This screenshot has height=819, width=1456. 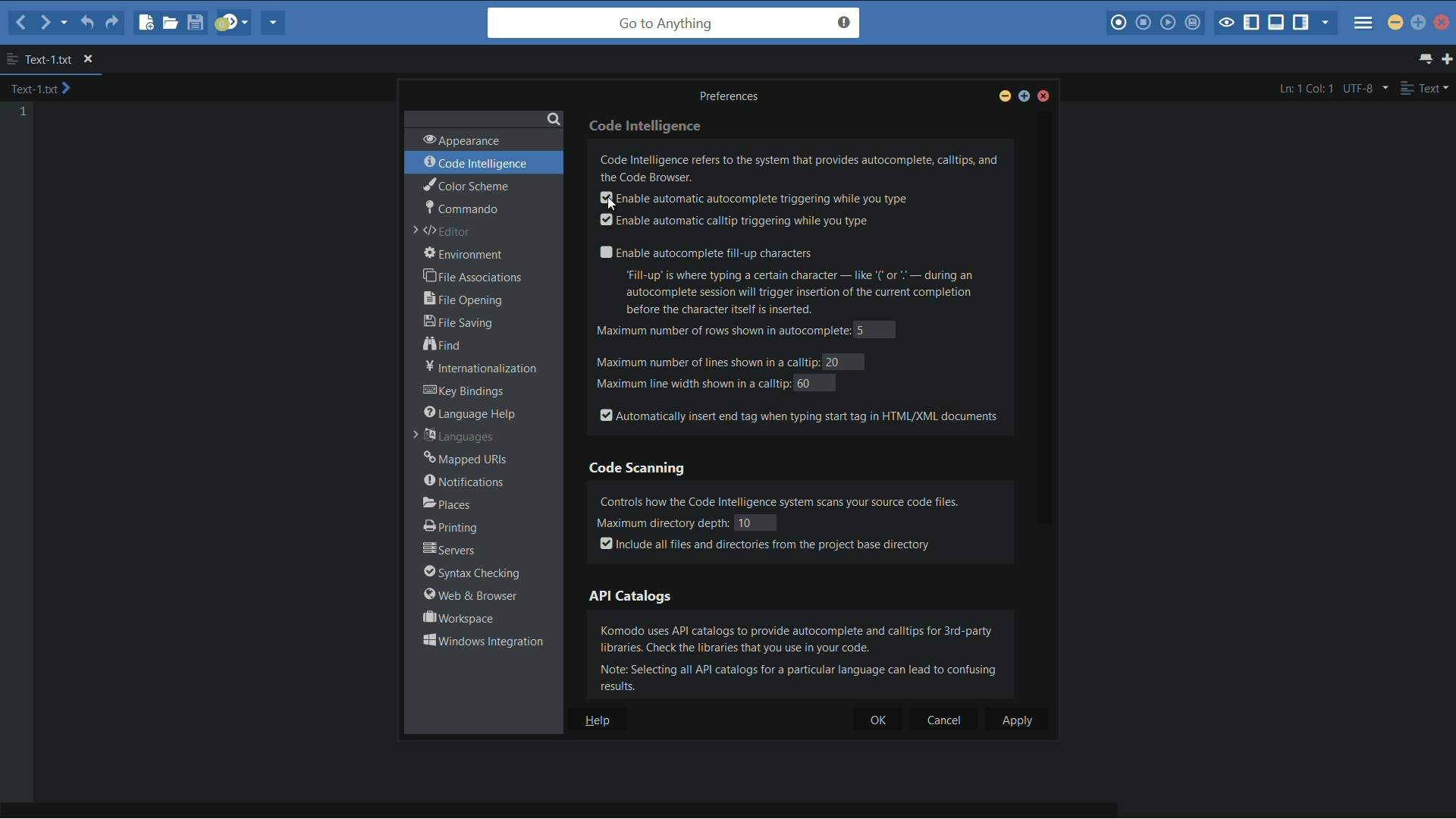 I want to click on UTF-8, so click(x=1363, y=88).